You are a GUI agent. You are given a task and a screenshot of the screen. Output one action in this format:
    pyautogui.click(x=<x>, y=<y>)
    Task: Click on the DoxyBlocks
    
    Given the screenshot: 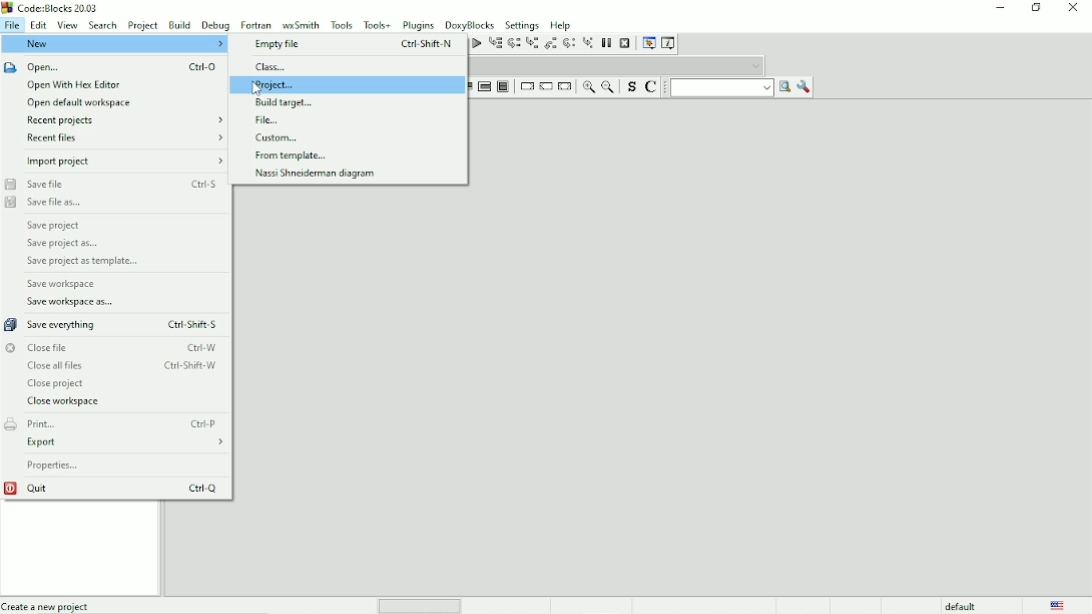 What is the action you would take?
    pyautogui.click(x=470, y=24)
    